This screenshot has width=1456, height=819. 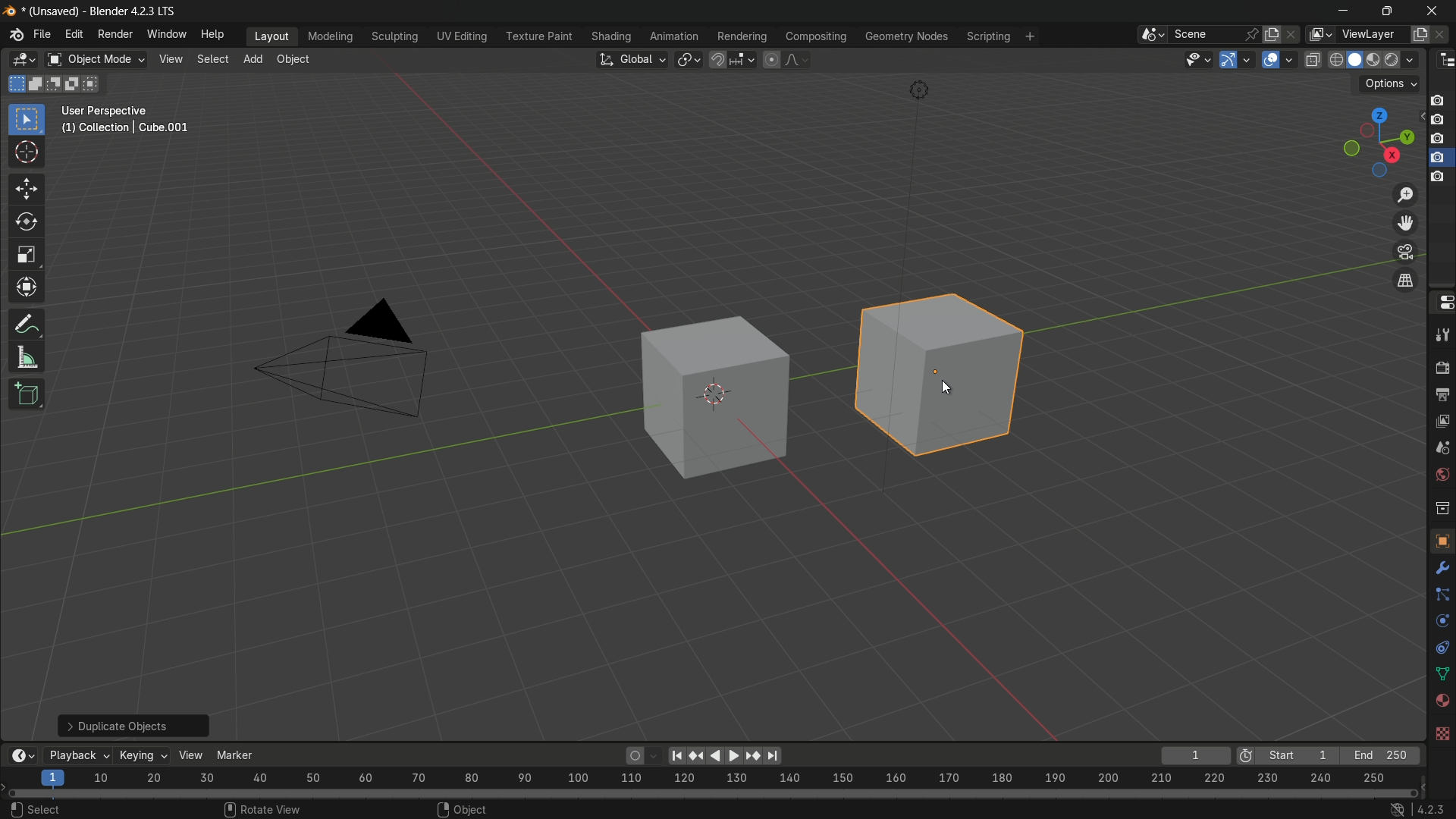 I want to click on jump to keyframe, so click(x=751, y=757).